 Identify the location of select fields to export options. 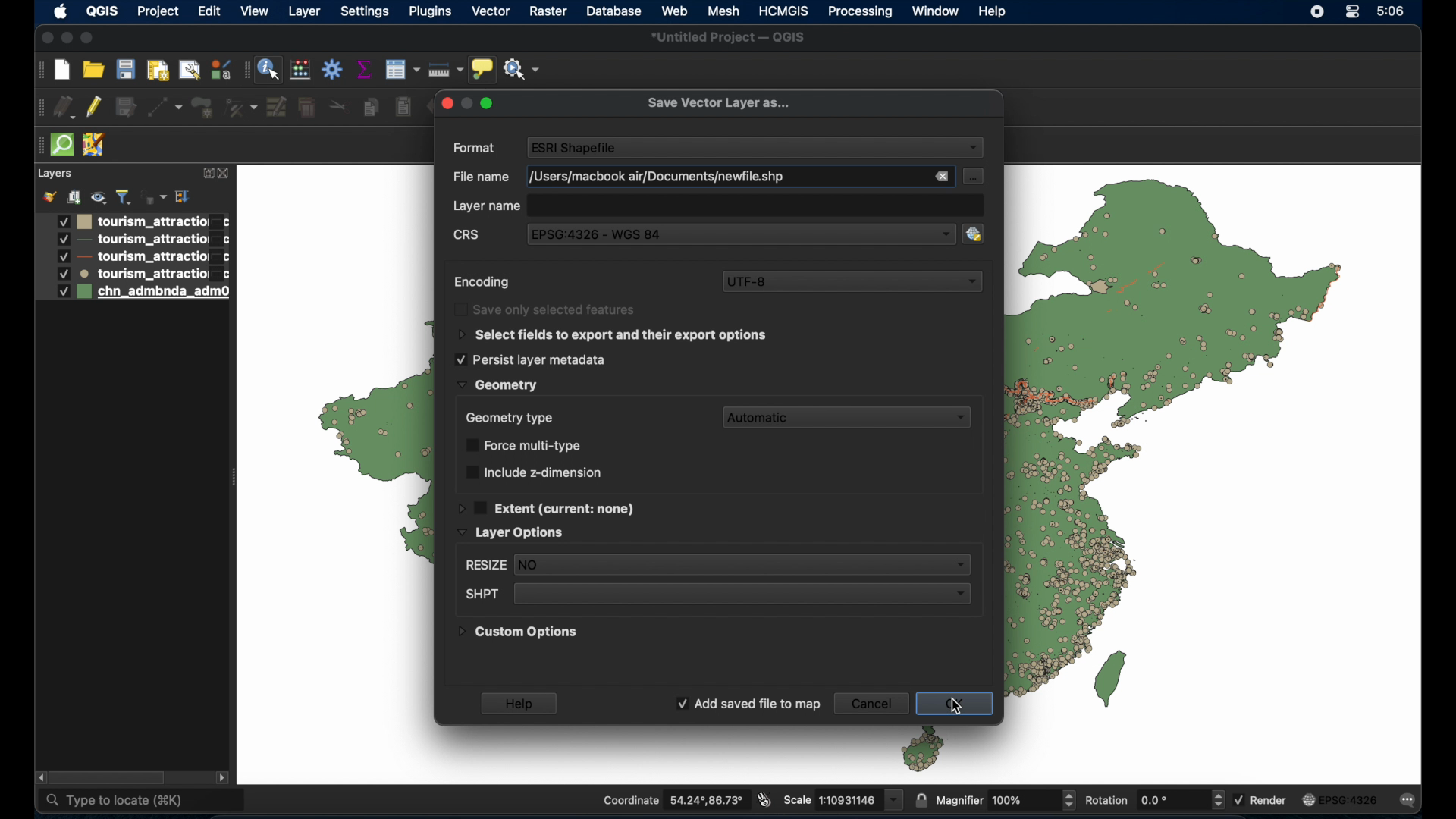
(613, 335).